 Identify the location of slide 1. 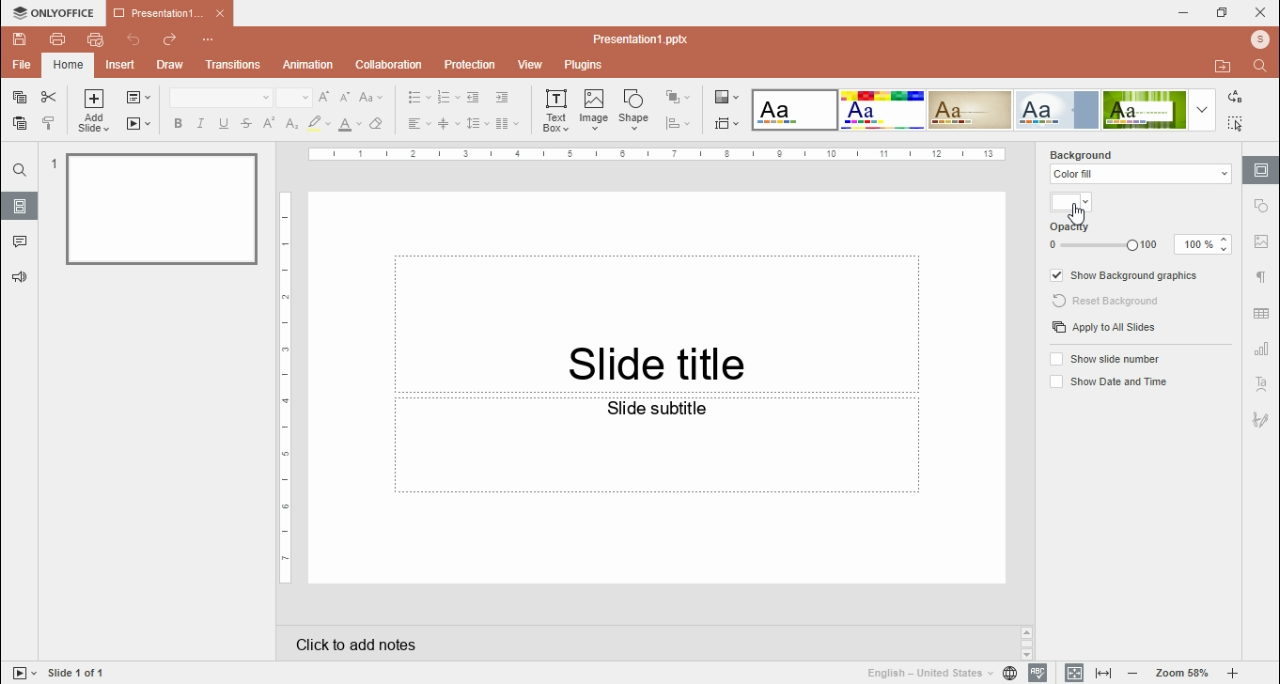
(152, 208).